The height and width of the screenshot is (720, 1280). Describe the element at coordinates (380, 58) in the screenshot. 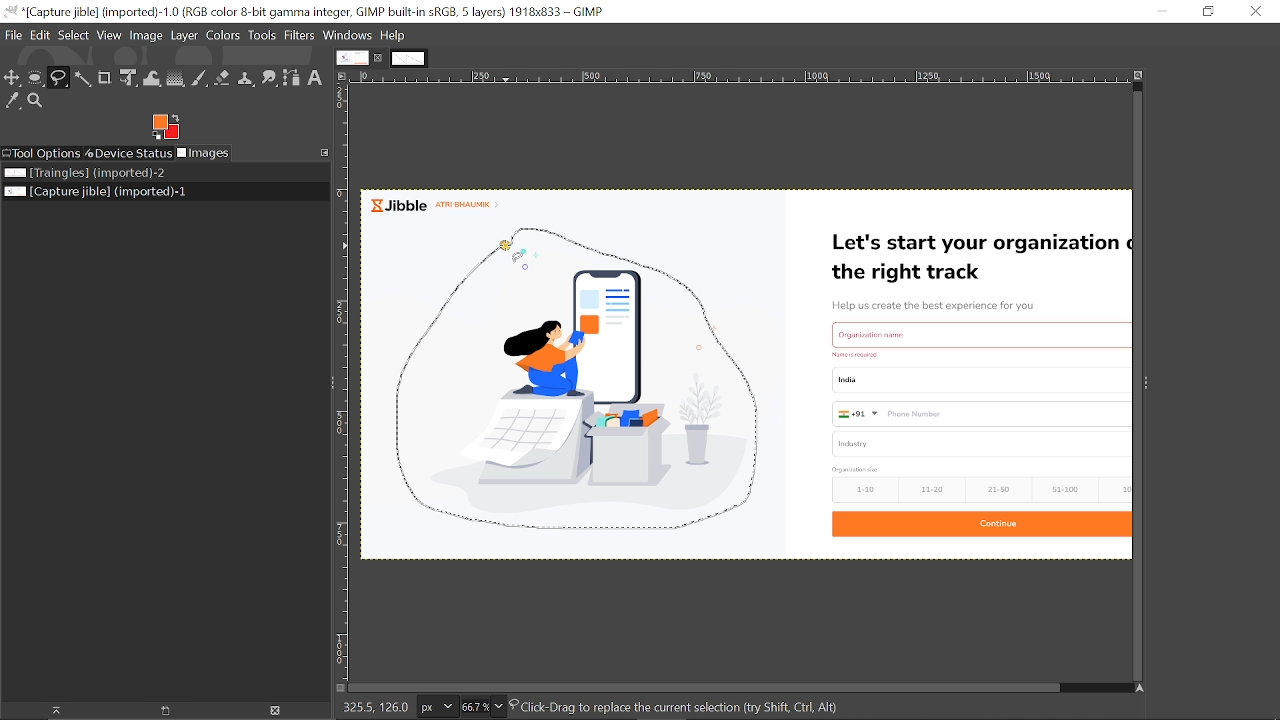

I see `Close current tab` at that location.